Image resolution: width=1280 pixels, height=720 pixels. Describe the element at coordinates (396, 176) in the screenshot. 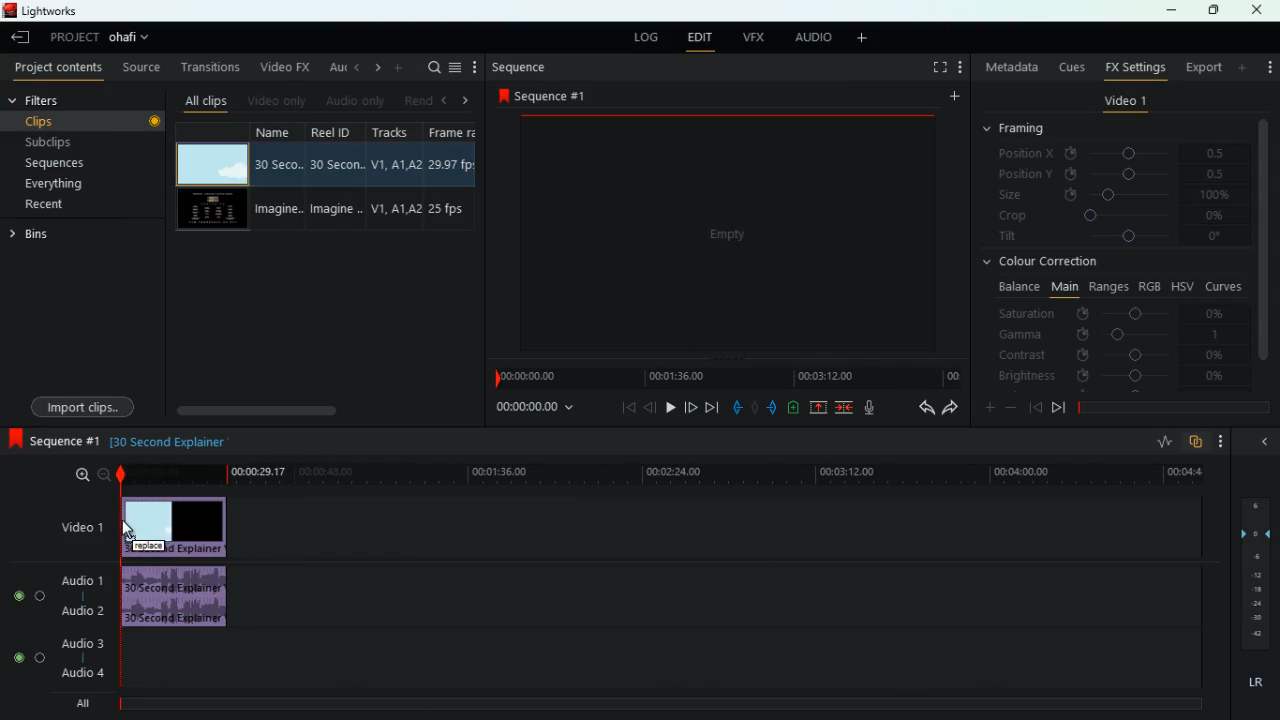

I see `tracks` at that location.